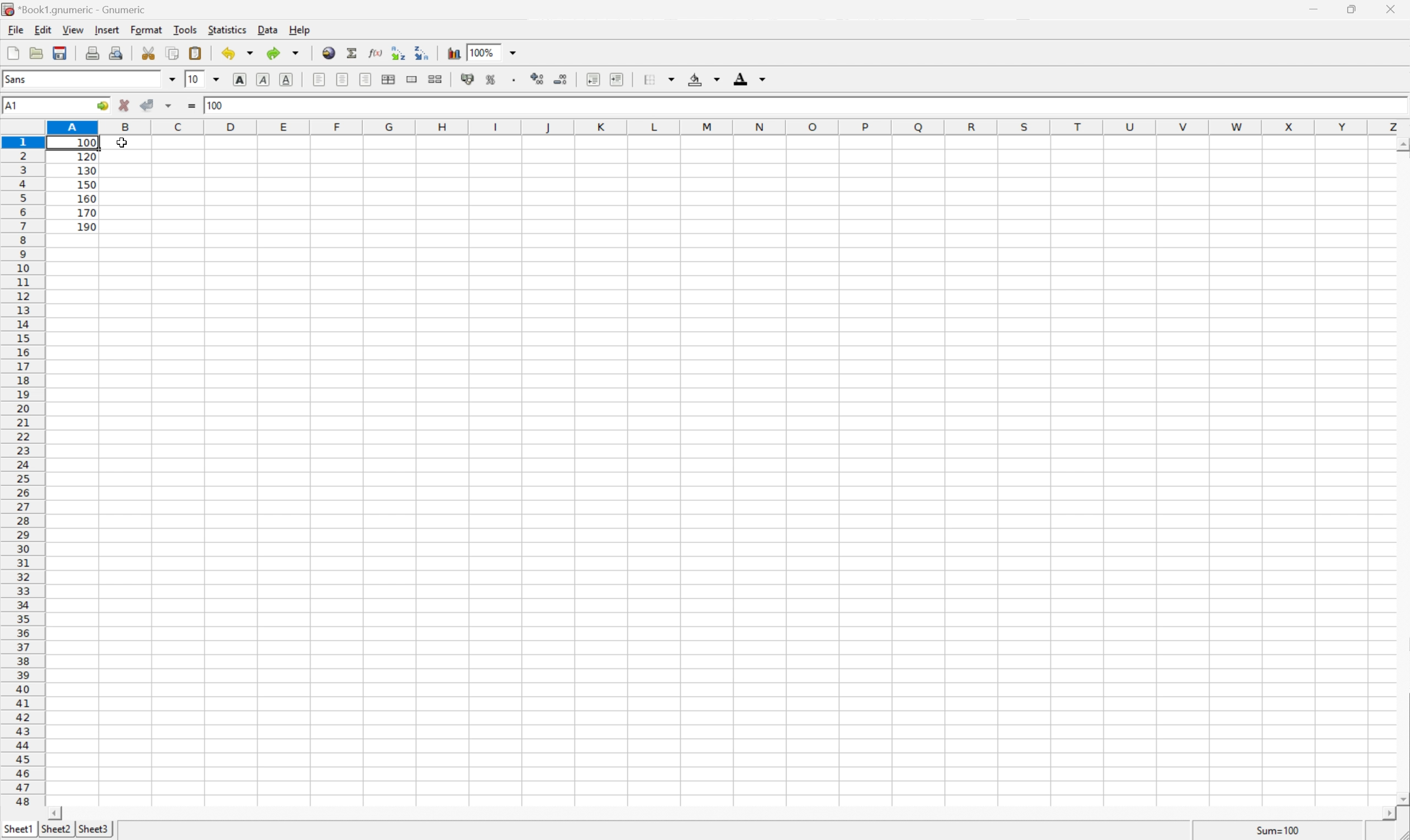 The width and height of the screenshot is (1410, 840). I want to click on Scroll Left, so click(58, 811).